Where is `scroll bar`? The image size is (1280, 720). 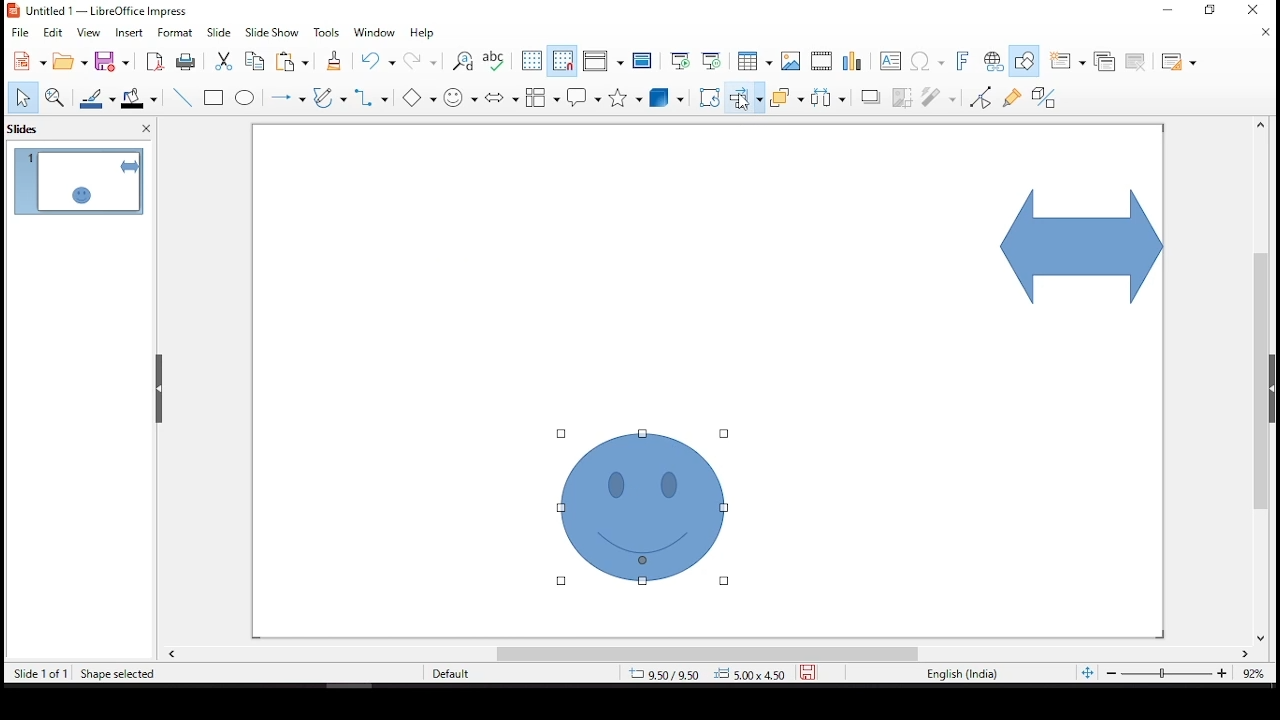
scroll bar is located at coordinates (709, 654).